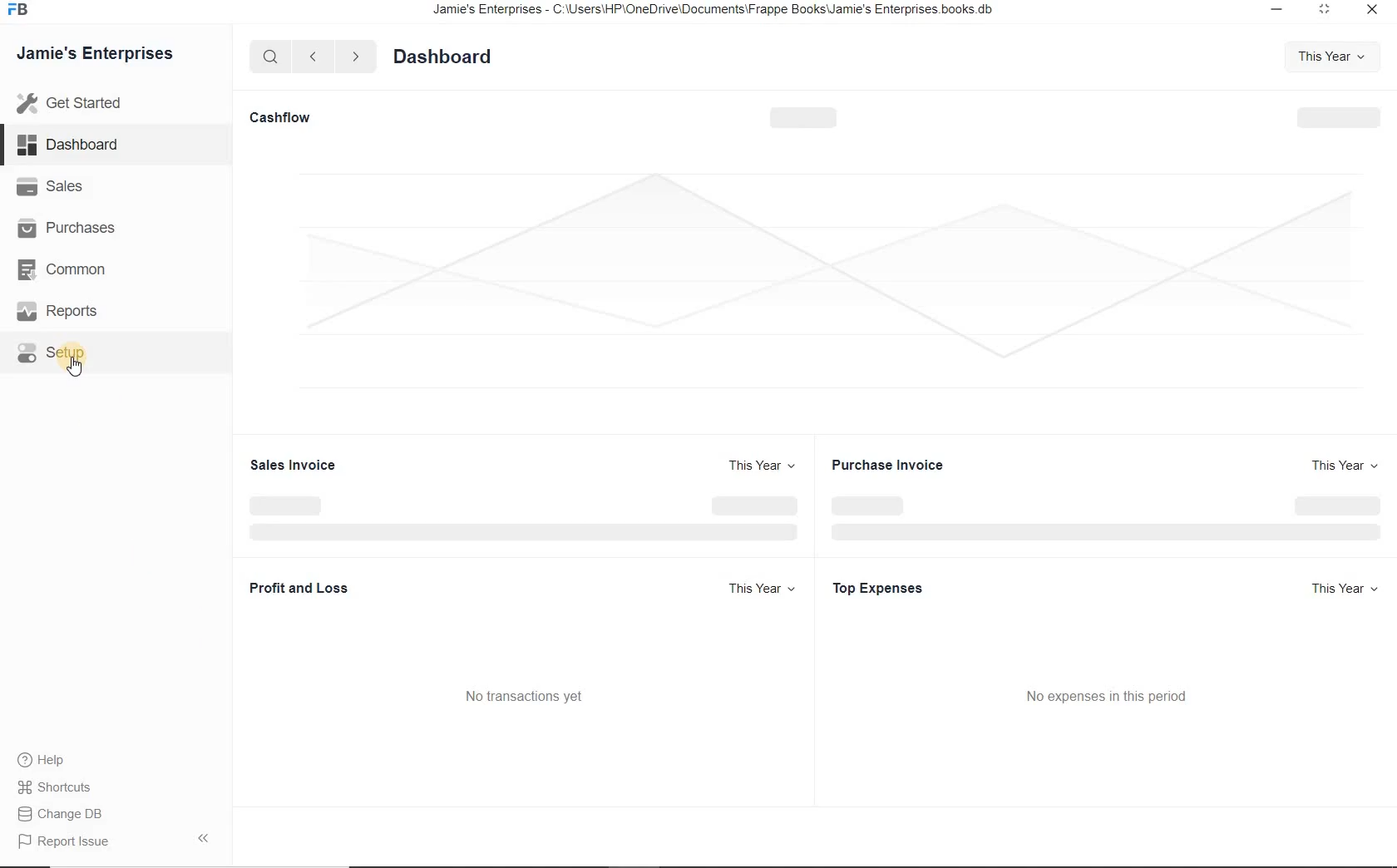  Describe the element at coordinates (101, 55) in the screenshot. I see `Jamie's Enterprises` at that location.